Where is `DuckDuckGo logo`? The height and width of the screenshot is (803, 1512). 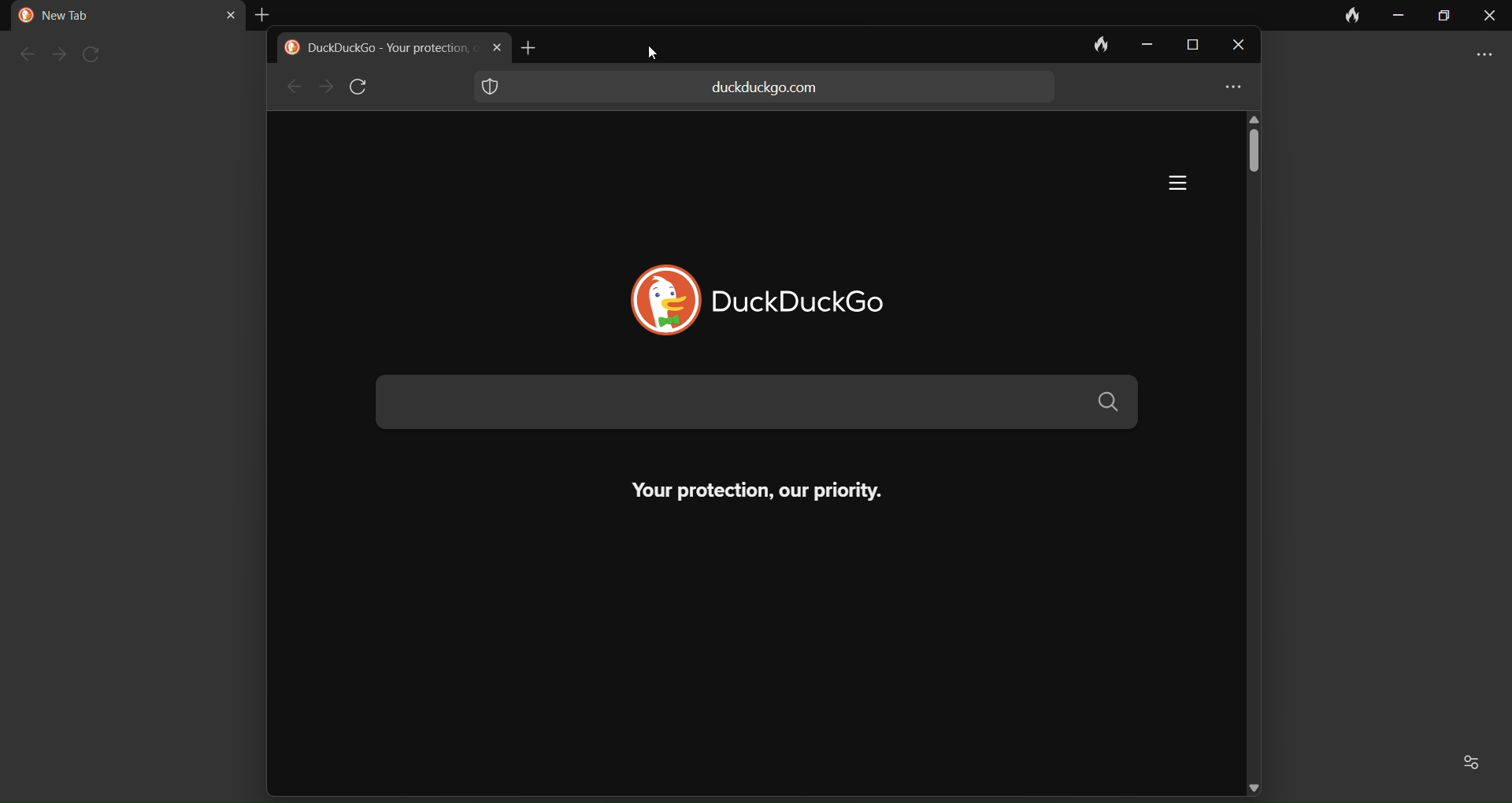 DuckDuckGo logo is located at coordinates (654, 300).